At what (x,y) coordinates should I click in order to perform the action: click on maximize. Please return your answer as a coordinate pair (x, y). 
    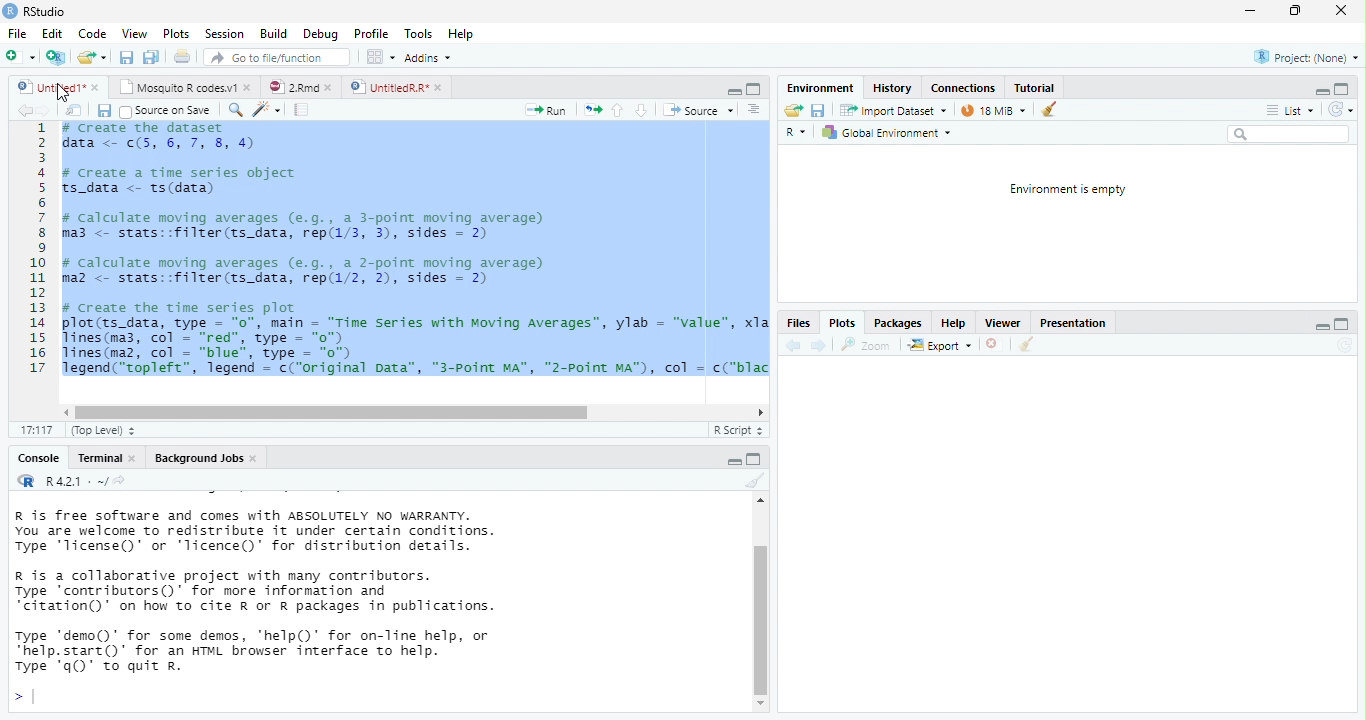
    Looking at the image, I should click on (1340, 325).